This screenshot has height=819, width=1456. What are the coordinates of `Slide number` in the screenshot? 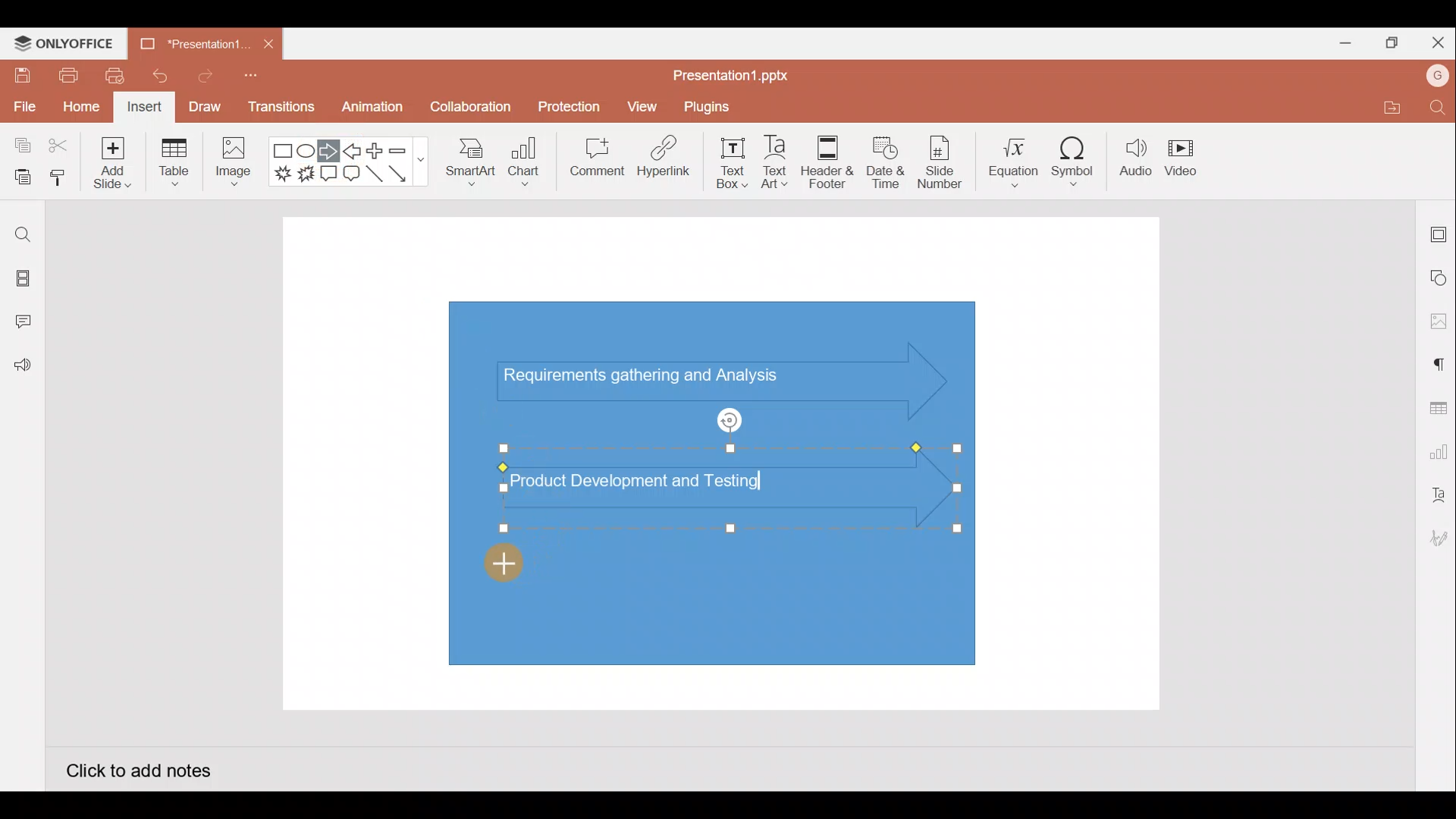 It's located at (939, 162).